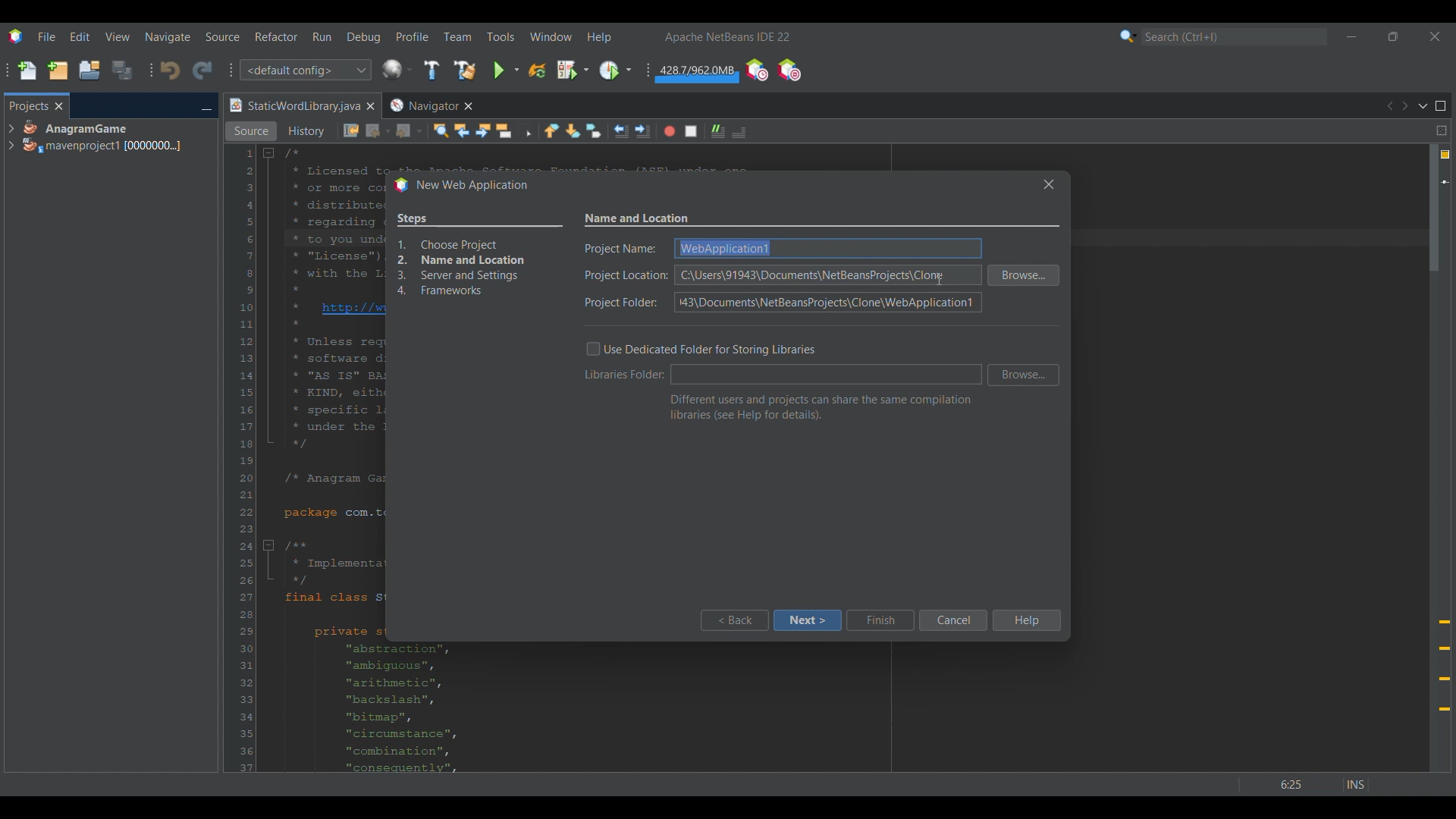 Image resolution: width=1456 pixels, height=819 pixels. What do you see at coordinates (413, 36) in the screenshot?
I see `Profile menu` at bounding box center [413, 36].